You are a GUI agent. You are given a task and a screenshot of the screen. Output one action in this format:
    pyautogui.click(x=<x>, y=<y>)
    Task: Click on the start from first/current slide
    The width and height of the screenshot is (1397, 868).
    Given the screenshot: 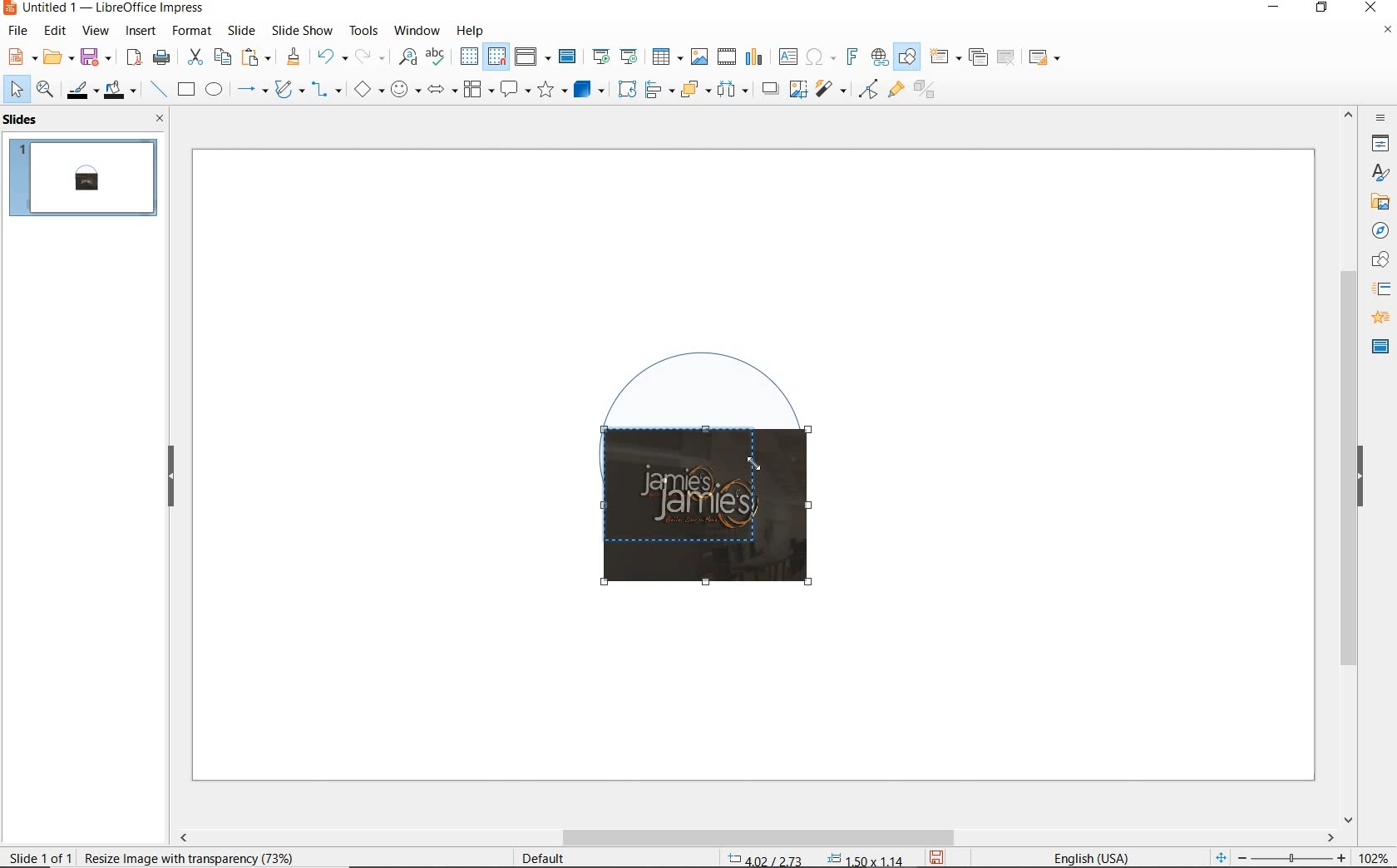 What is the action you would take?
    pyautogui.click(x=615, y=55)
    